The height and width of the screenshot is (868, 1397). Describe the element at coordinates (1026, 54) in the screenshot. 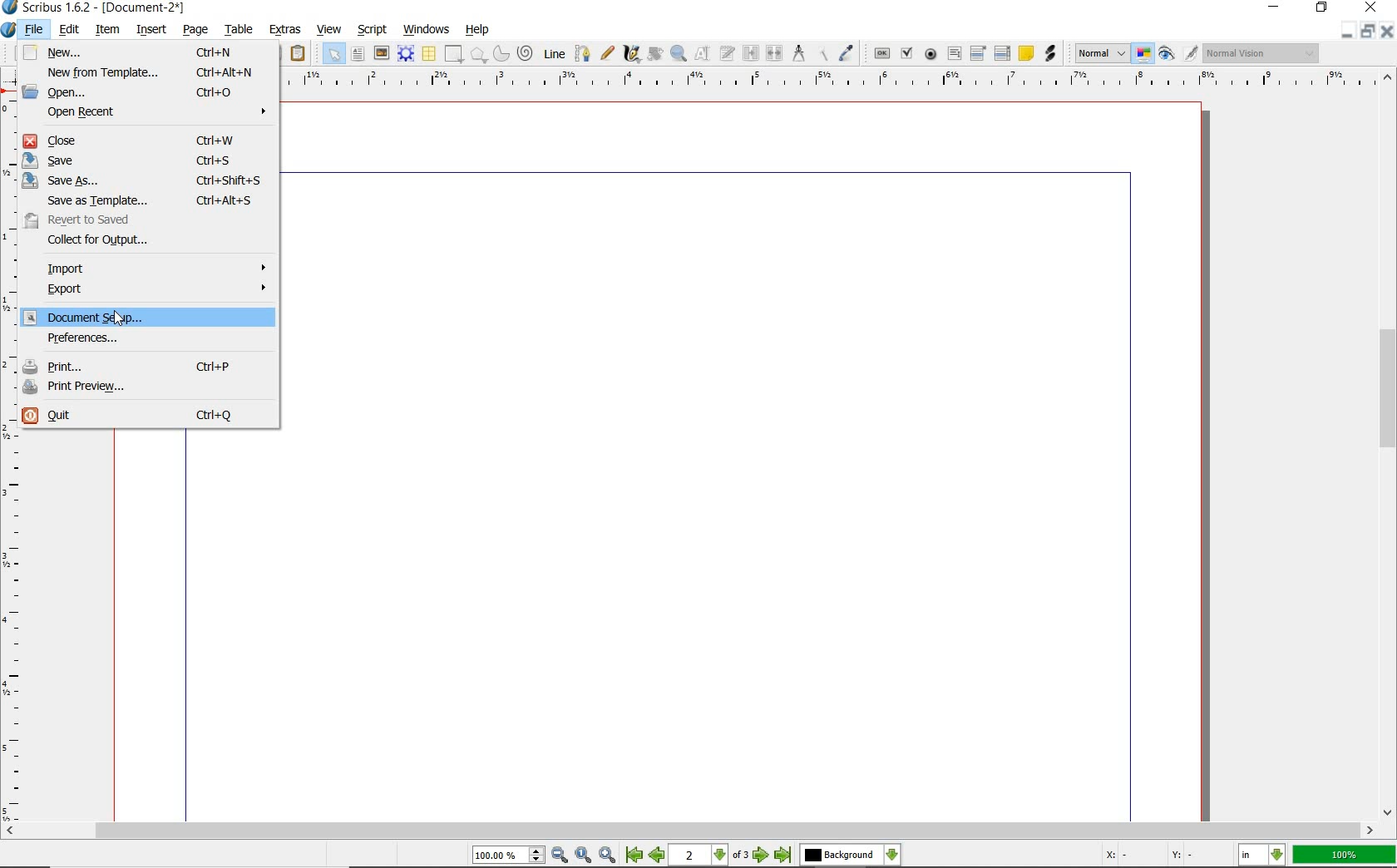

I see `text annotation` at that location.